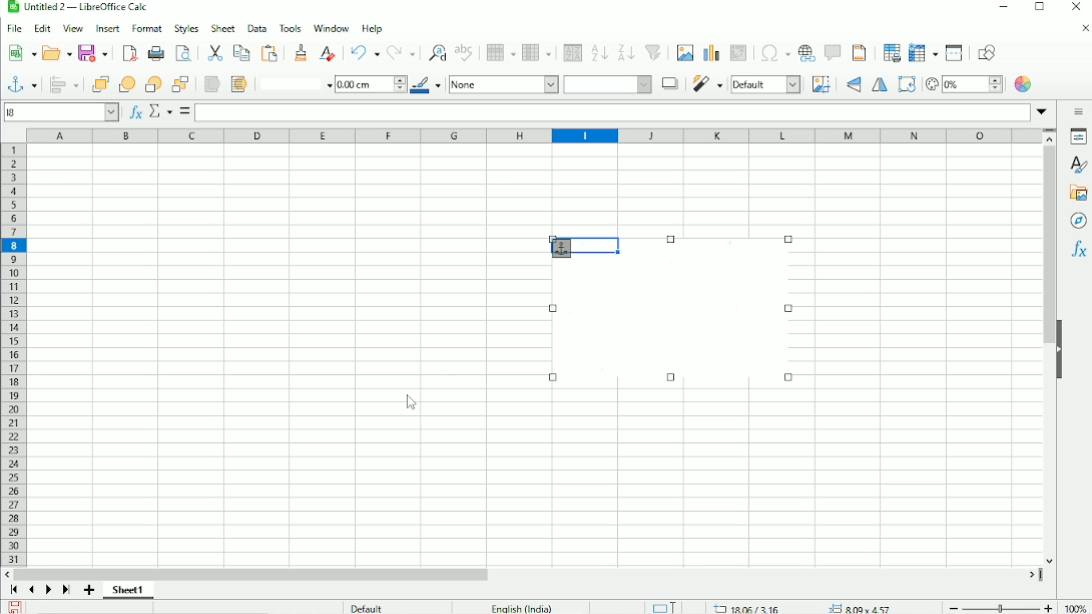 The width and height of the screenshot is (1092, 614). Describe the element at coordinates (14, 590) in the screenshot. I see `Scroll to first sheet` at that location.